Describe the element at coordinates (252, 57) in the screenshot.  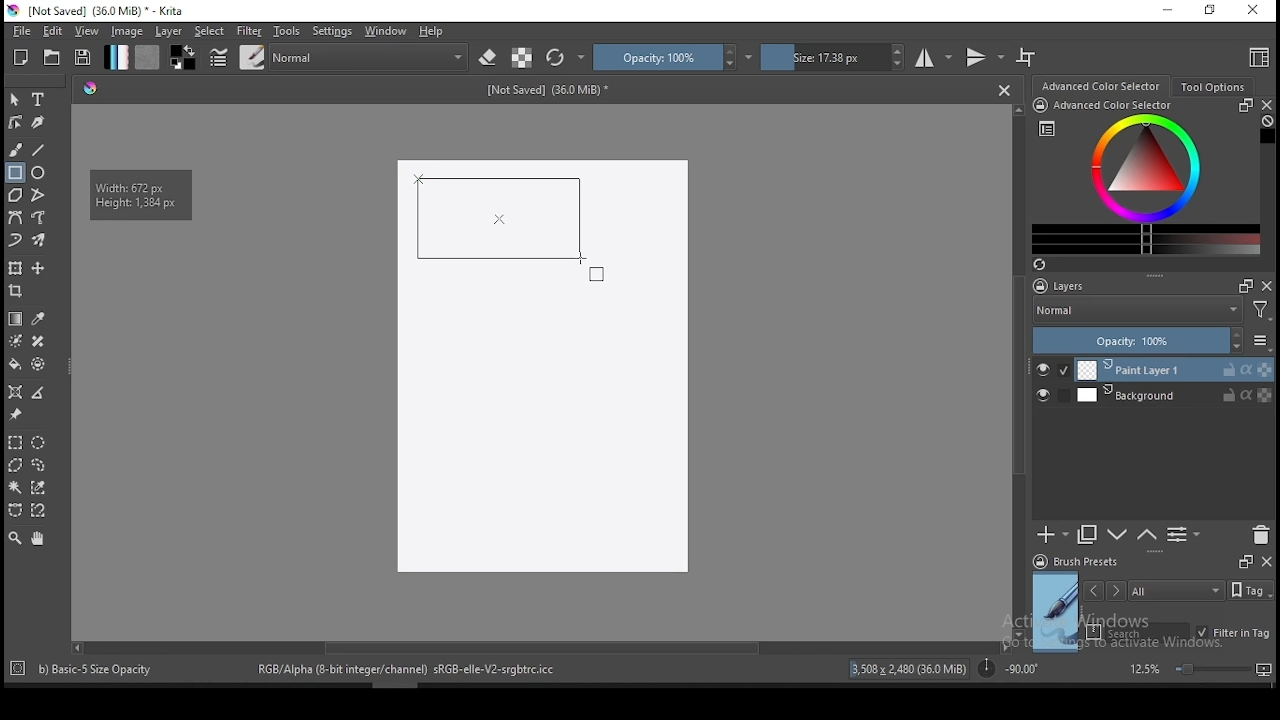
I see `brushes` at that location.